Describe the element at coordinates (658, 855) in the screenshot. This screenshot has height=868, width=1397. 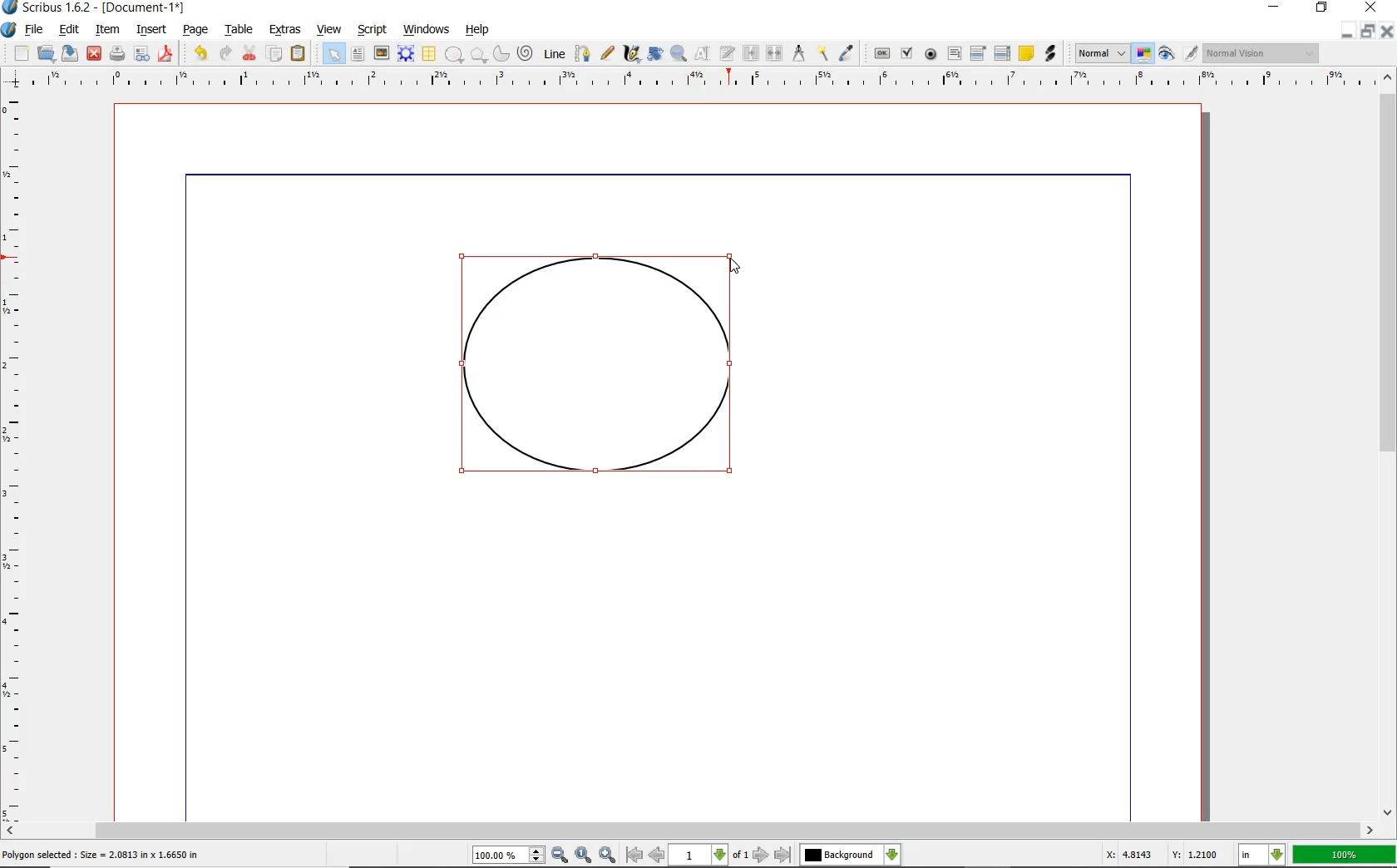
I see `previous` at that location.